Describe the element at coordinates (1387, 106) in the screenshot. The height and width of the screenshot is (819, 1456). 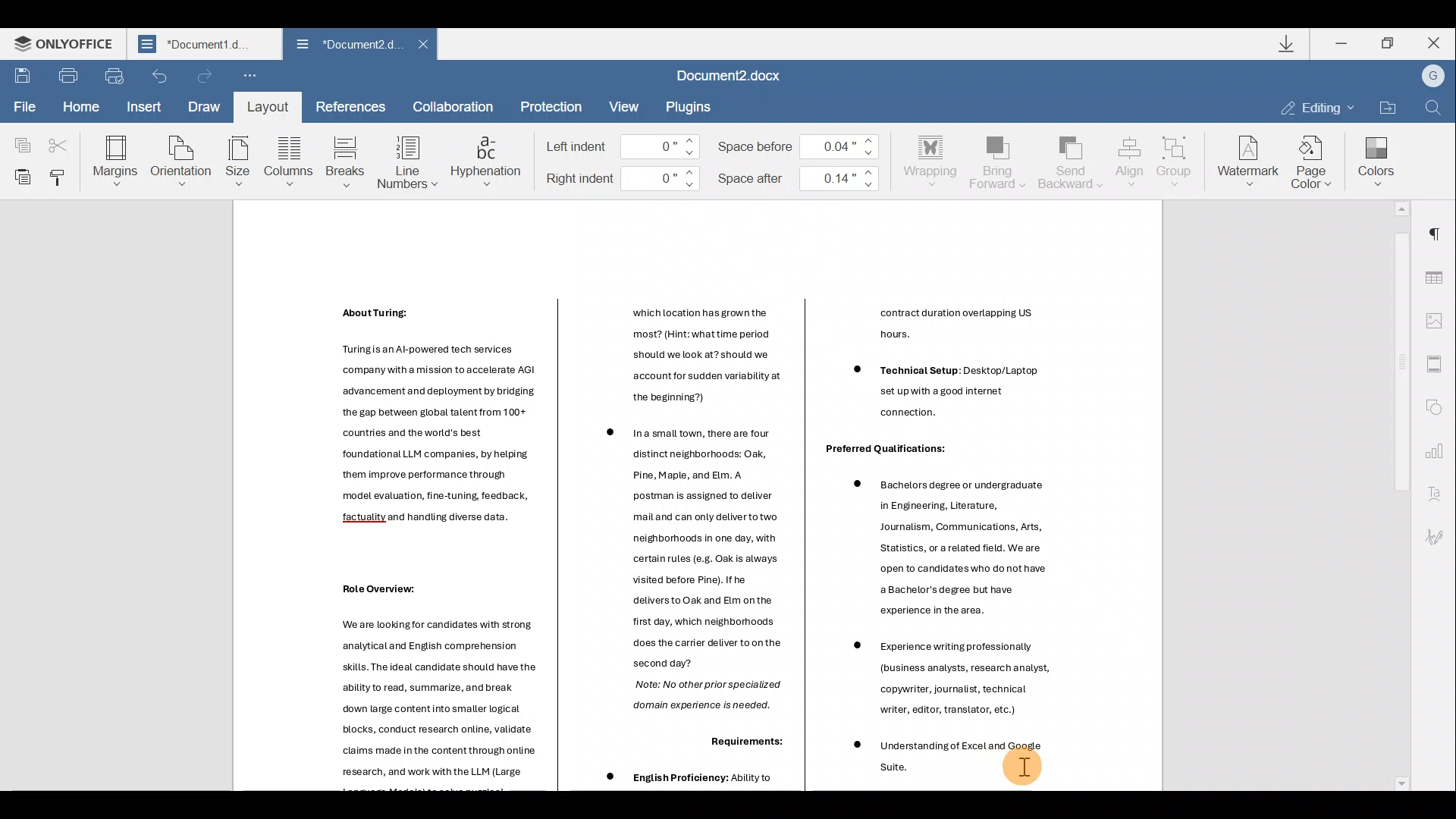
I see `Open file location` at that location.